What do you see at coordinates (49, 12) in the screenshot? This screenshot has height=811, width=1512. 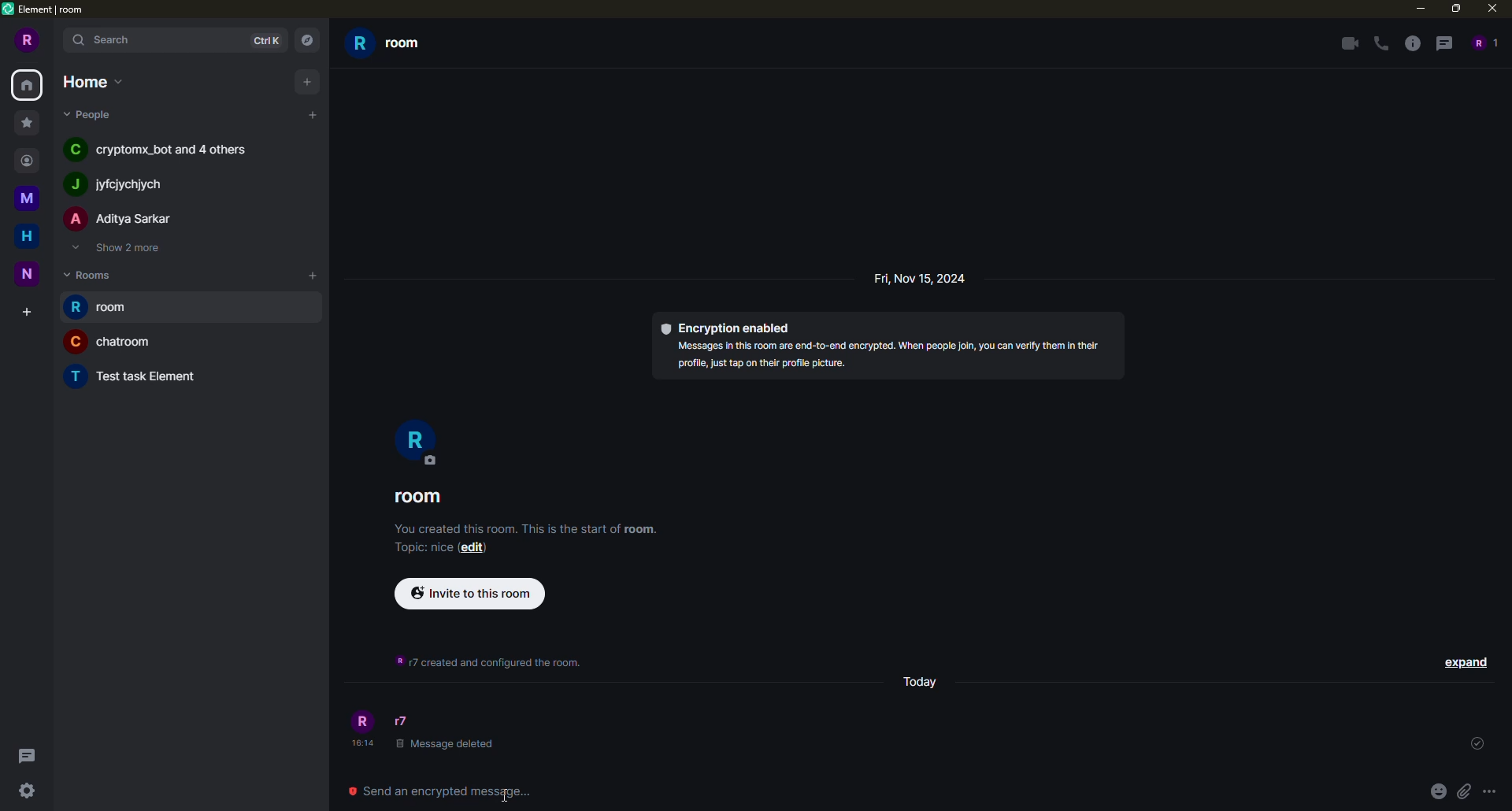 I see `element` at bounding box center [49, 12].